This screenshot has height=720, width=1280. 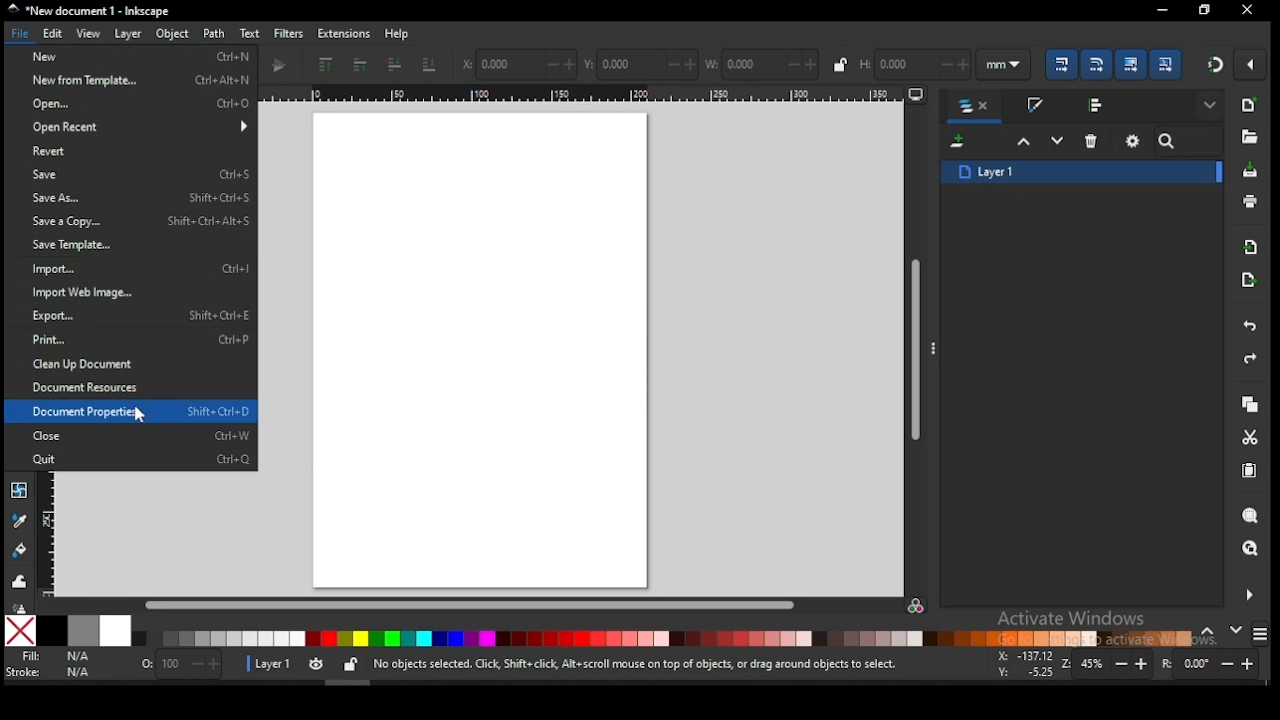 What do you see at coordinates (1098, 104) in the screenshot?
I see `align and distribute` at bounding box center [1098, 104].